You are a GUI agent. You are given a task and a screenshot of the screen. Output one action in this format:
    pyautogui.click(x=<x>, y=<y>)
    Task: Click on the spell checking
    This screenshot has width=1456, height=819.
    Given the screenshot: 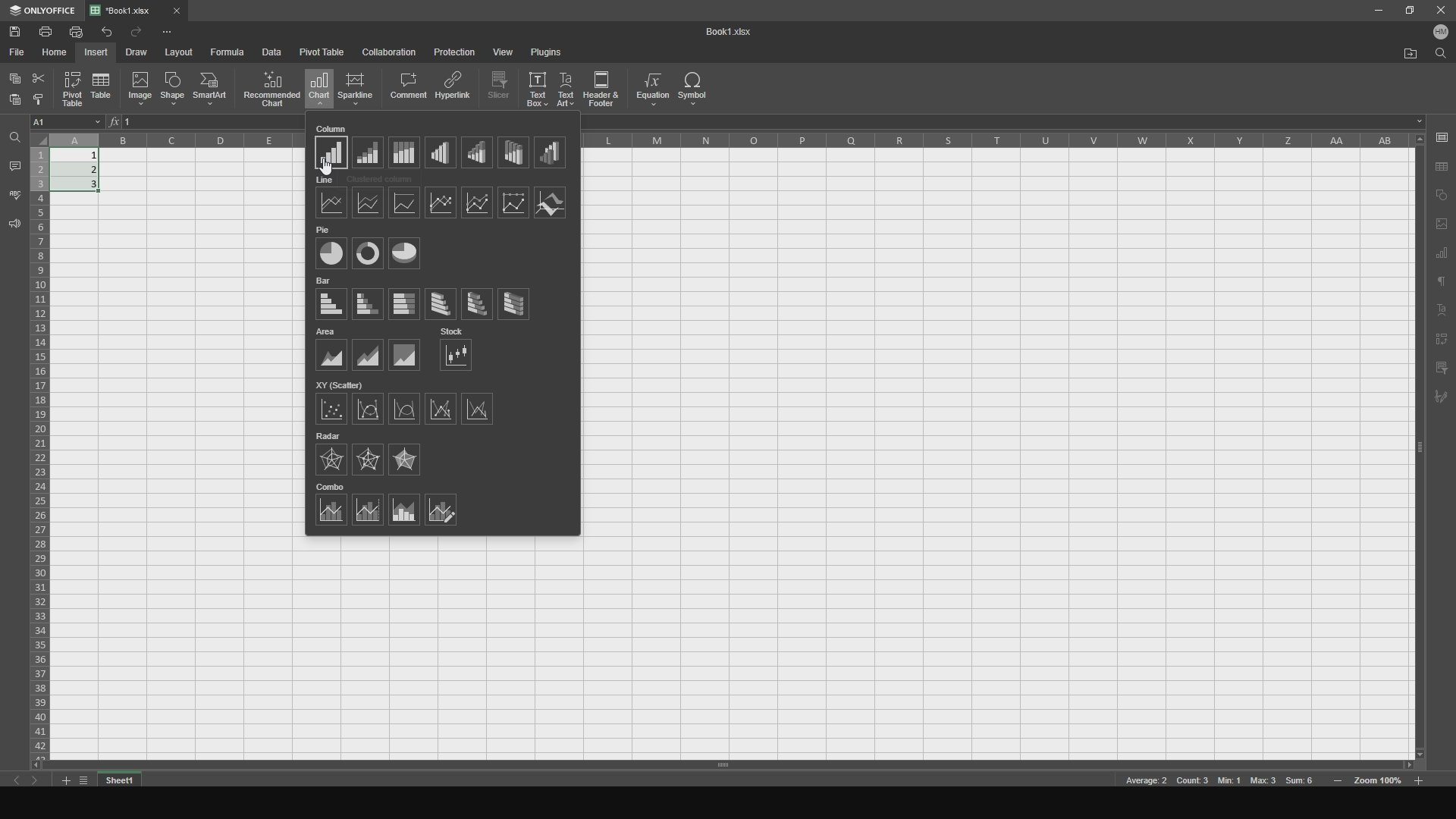 What is the action you would take?
    pyautogui.click(x=14, y=194)
    